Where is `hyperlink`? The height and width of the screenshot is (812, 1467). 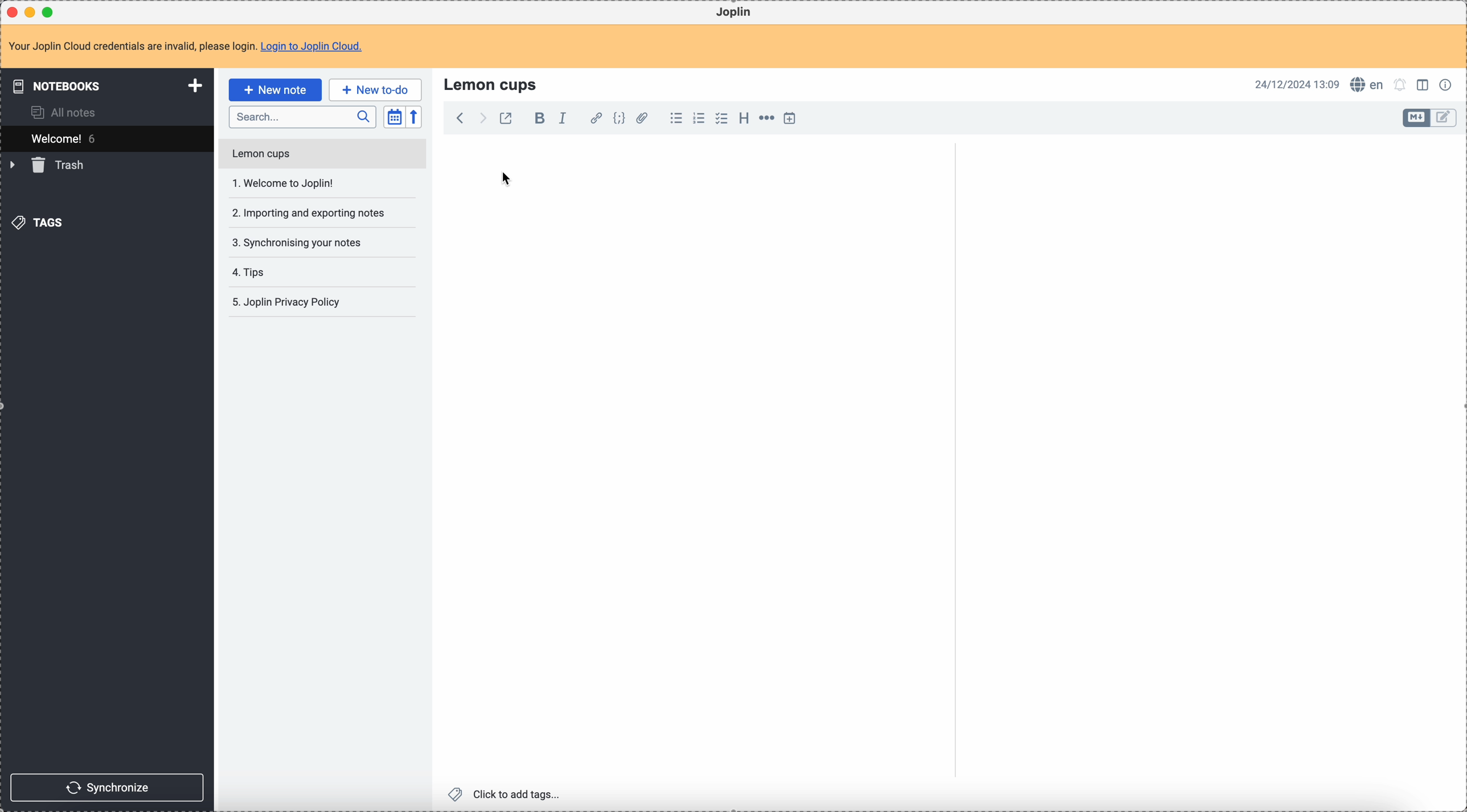
hyperlink is located at coordinates (594, 119).